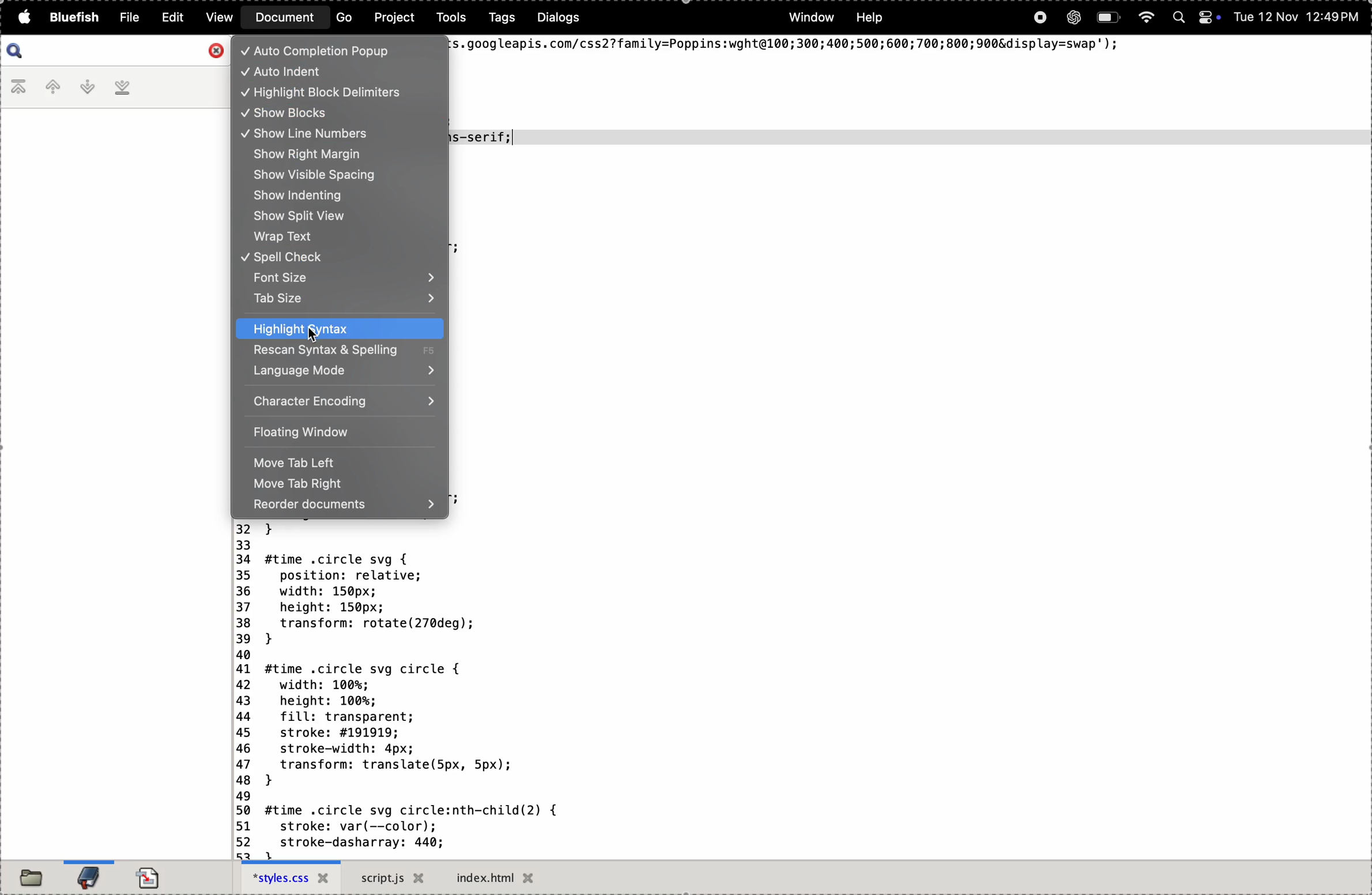 The width and height of the screenshot is (1372, 895). Describe the element at coordinates (316, 335) in the screenshot. I see `cursor` at that location.